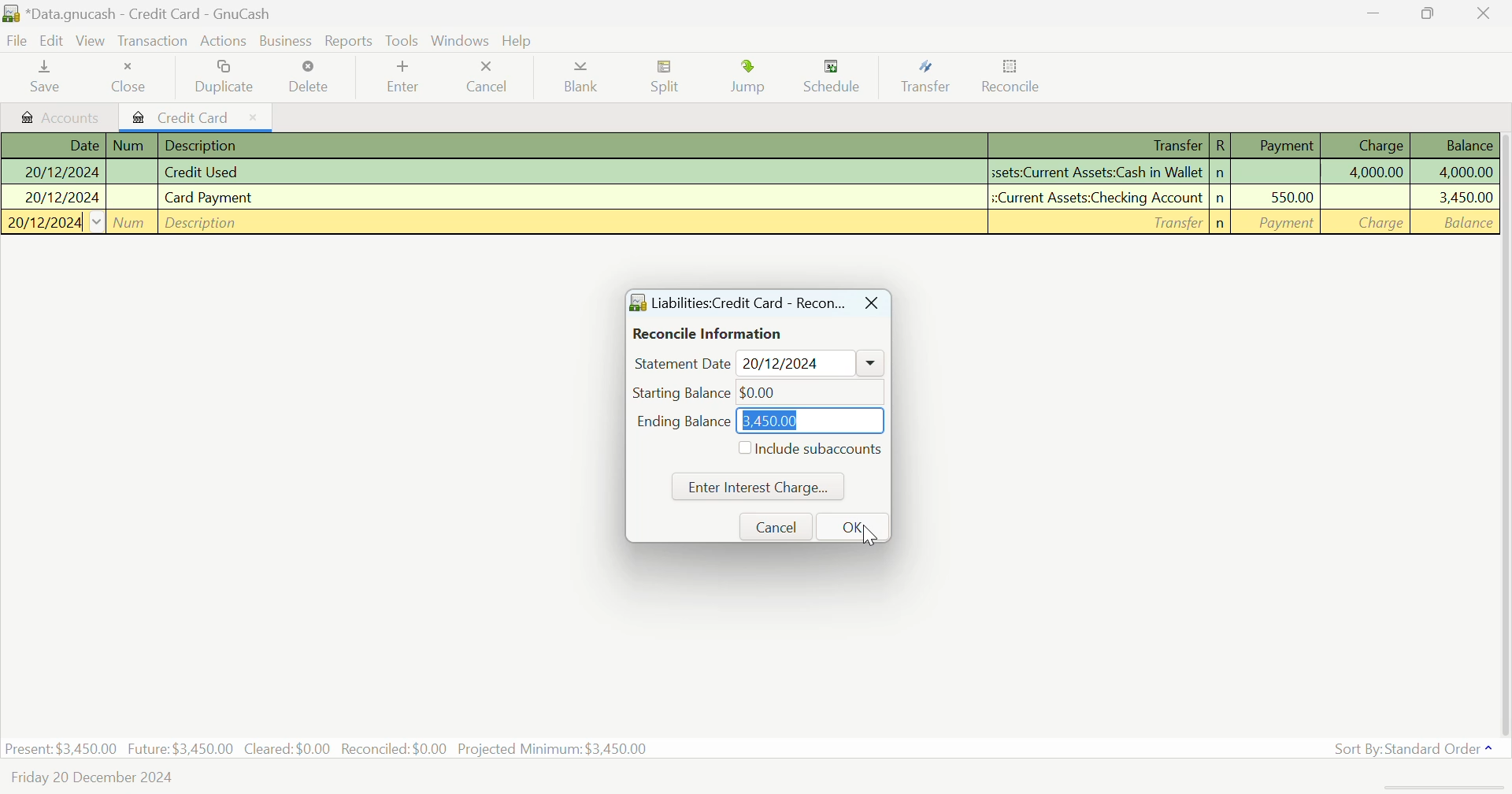  I want to click on Save, so click(46, 78).